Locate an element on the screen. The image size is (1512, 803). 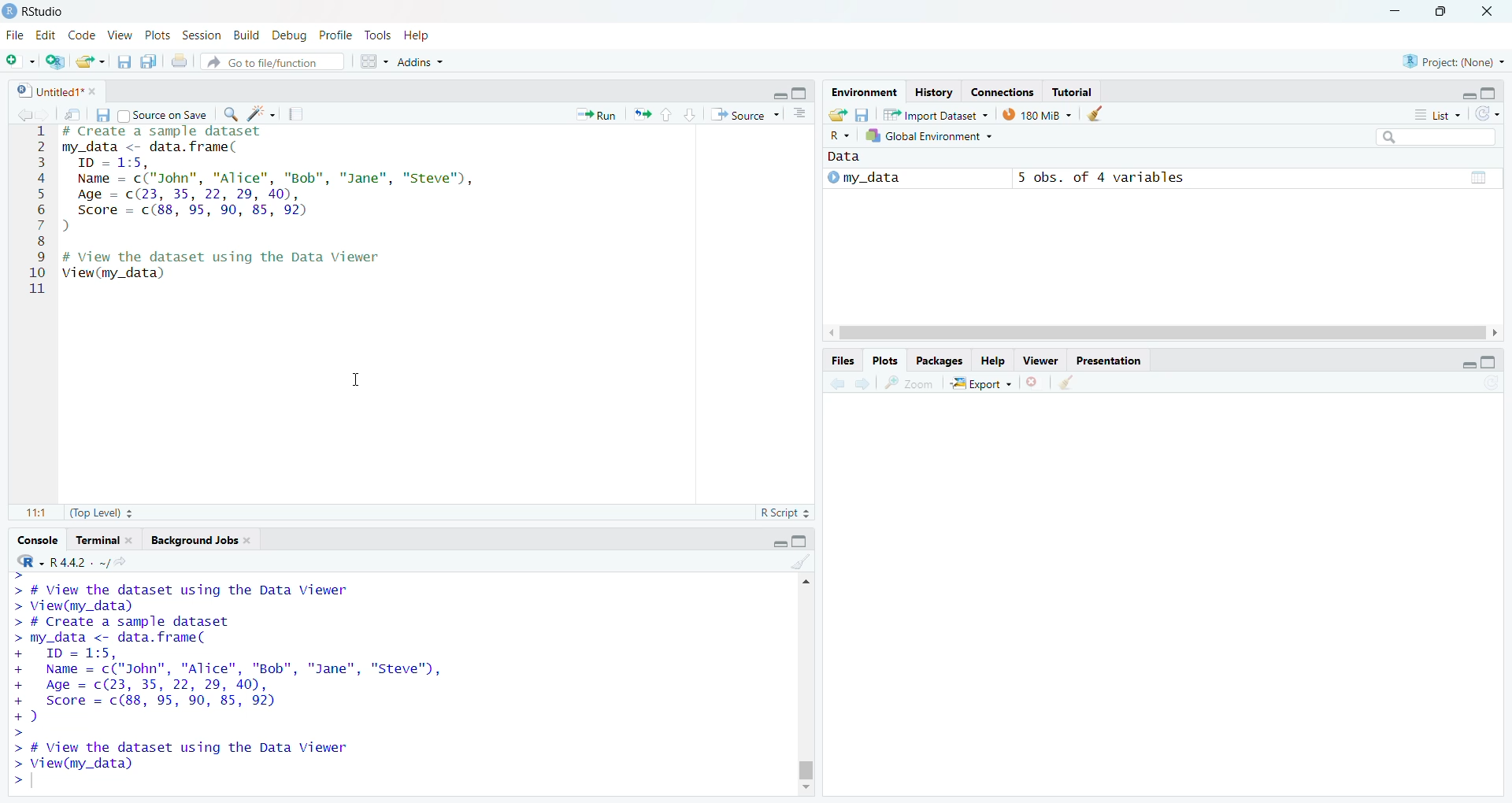
resize is located at coordinates (641, 115).